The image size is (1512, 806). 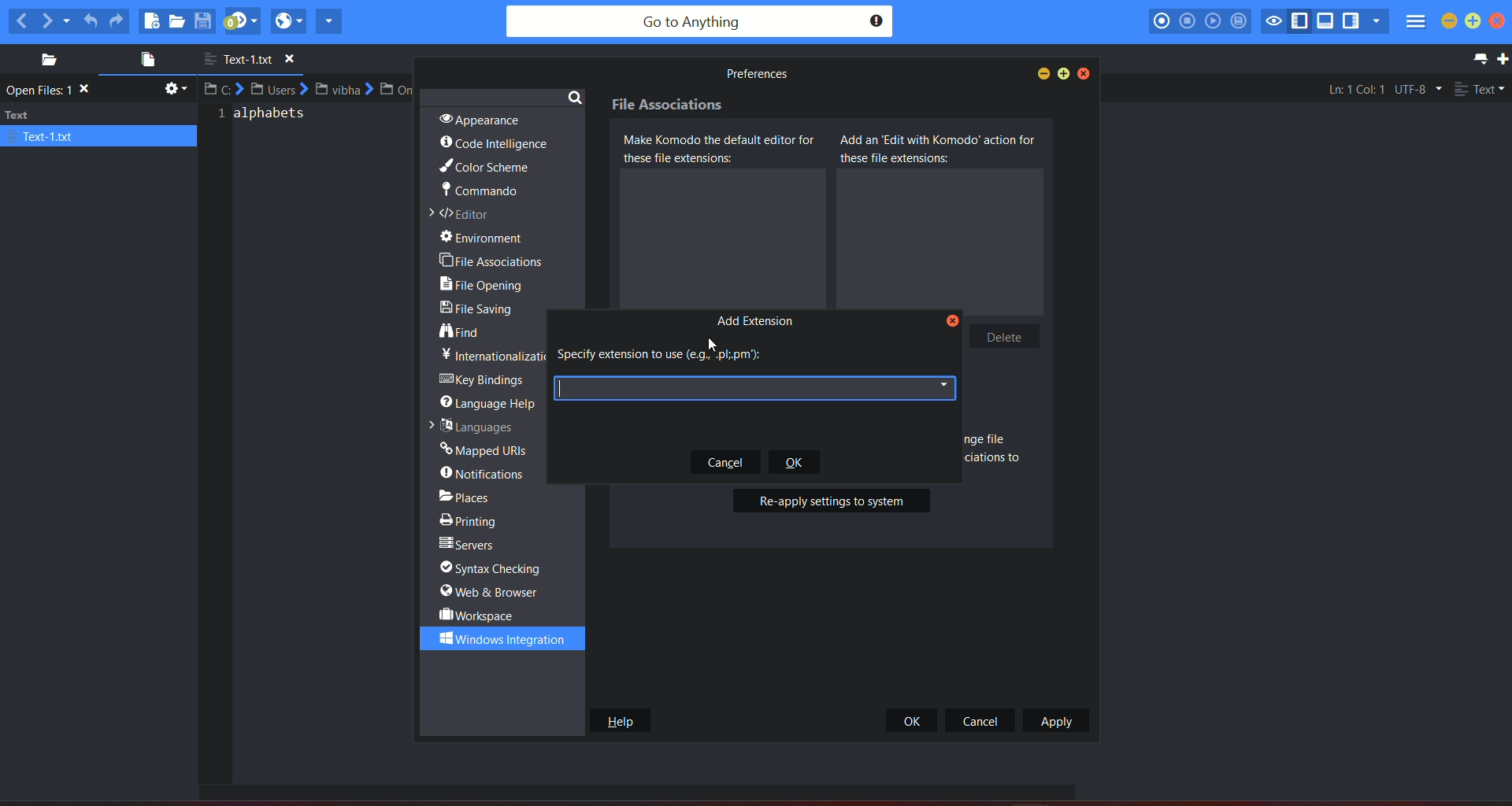 What do you see at coordinates (1351, 23) in the screenshot?
I see `show/hide right pane` at bounding box center [1351, 23].